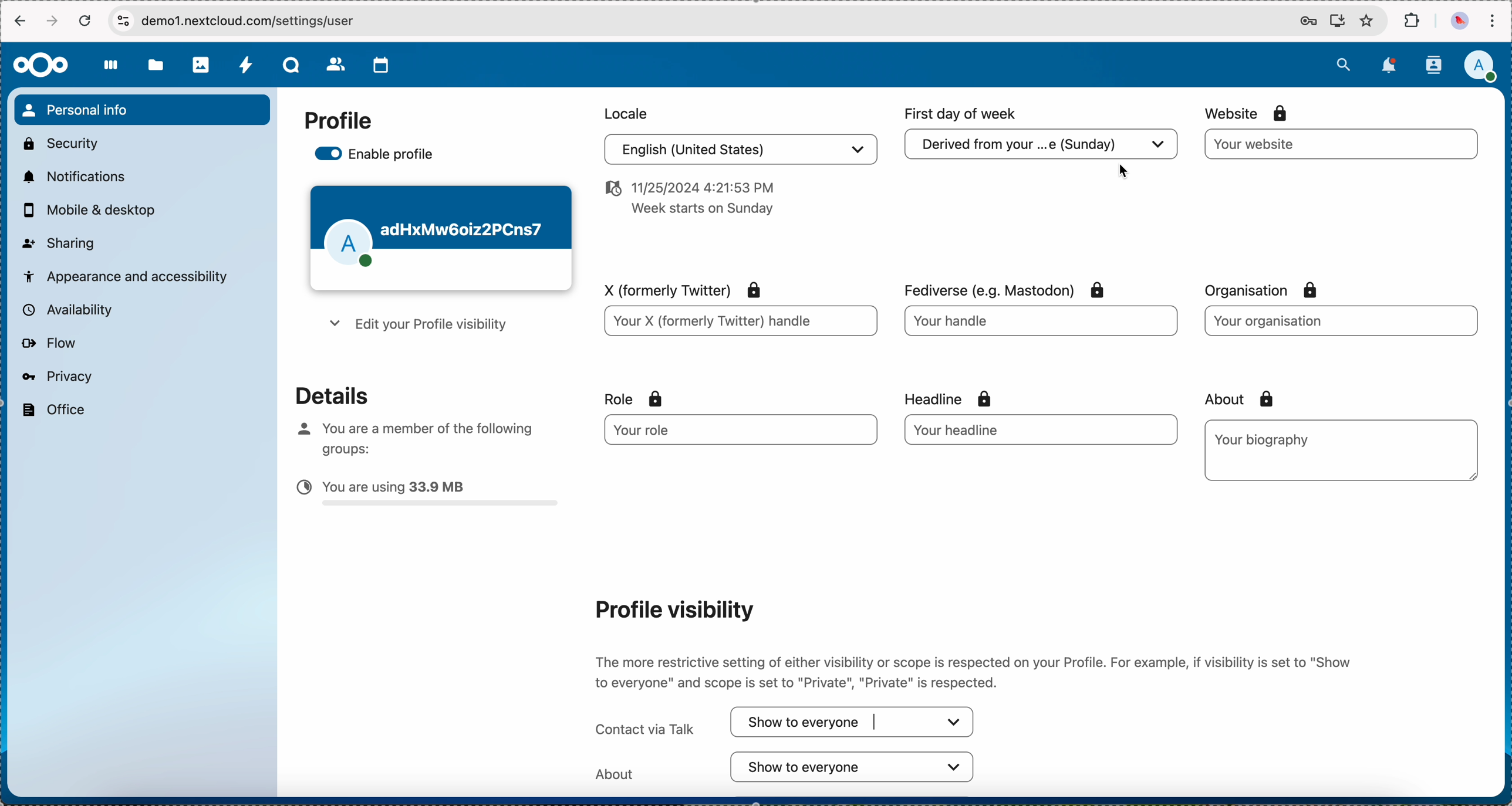  Describe the element at coordinates (377, 155) in the screenshot. I see `enable profile` at that location.